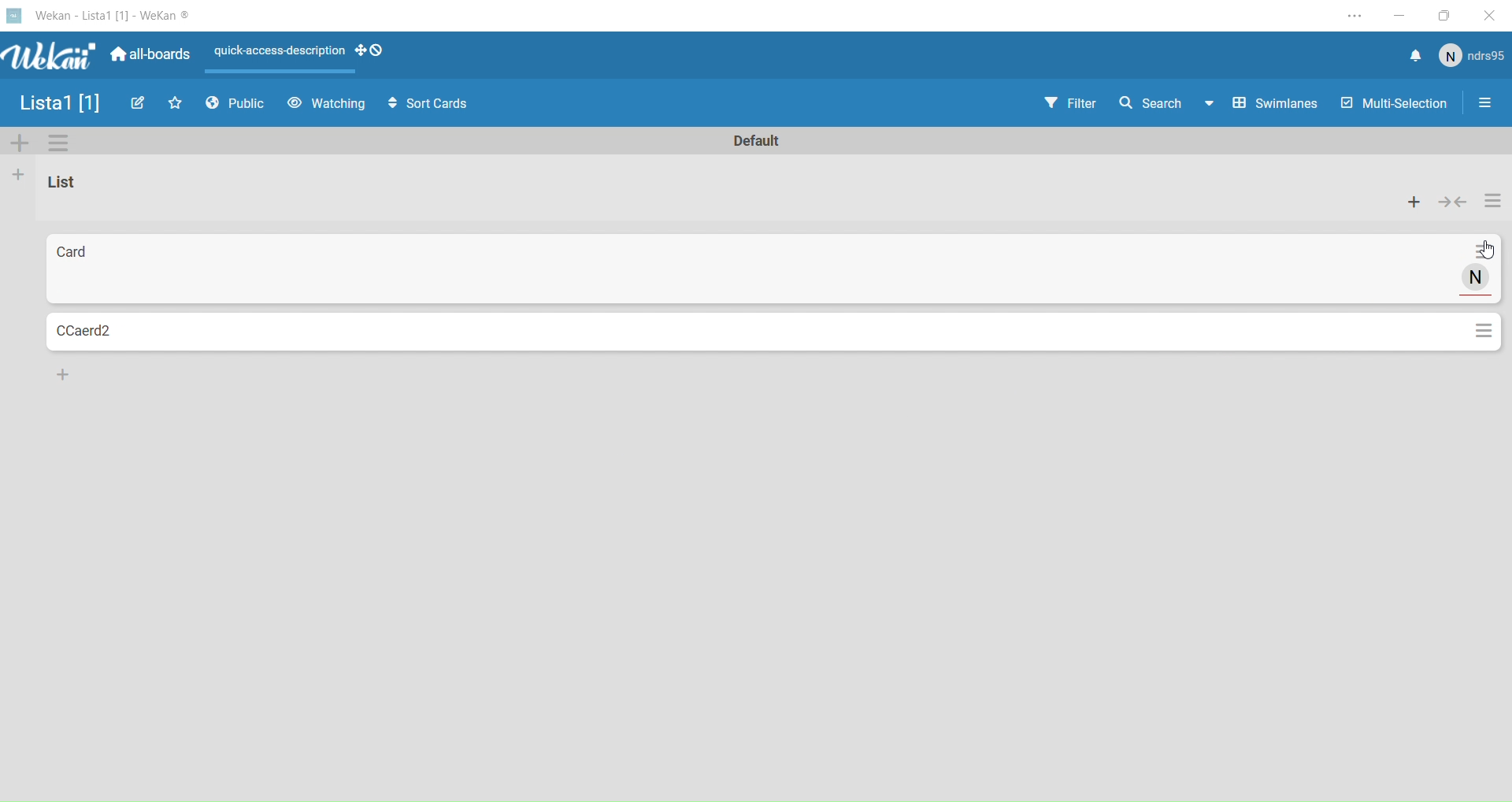 The width and height of the screenshot is (1512, 802). Describe the element at coordinates (1405, 16) in the screenshot. I see `Minimize` at that location.